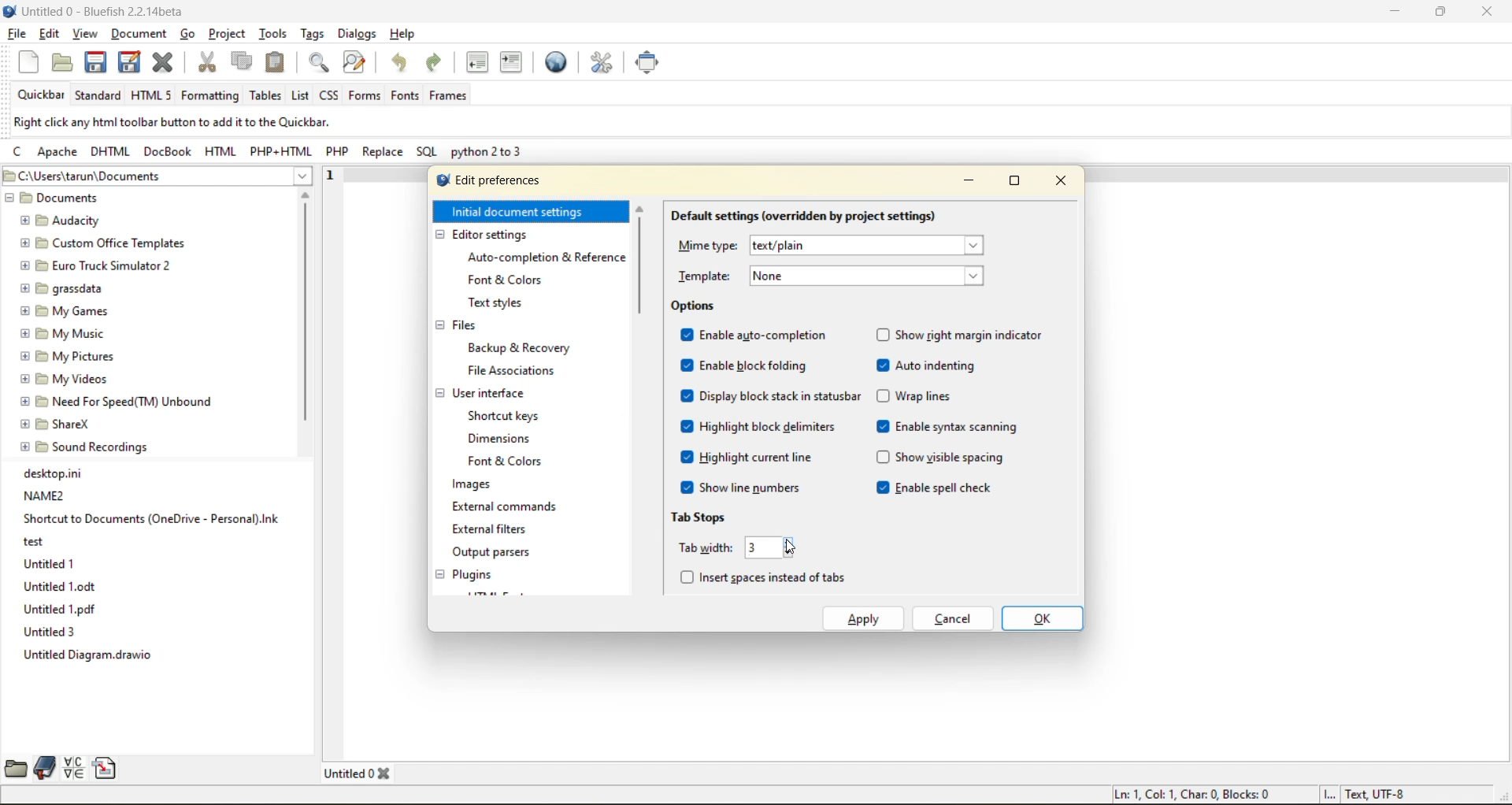  Describe the element at coordinates (166, 152) in the screenshot. I see `docbook` at that location.